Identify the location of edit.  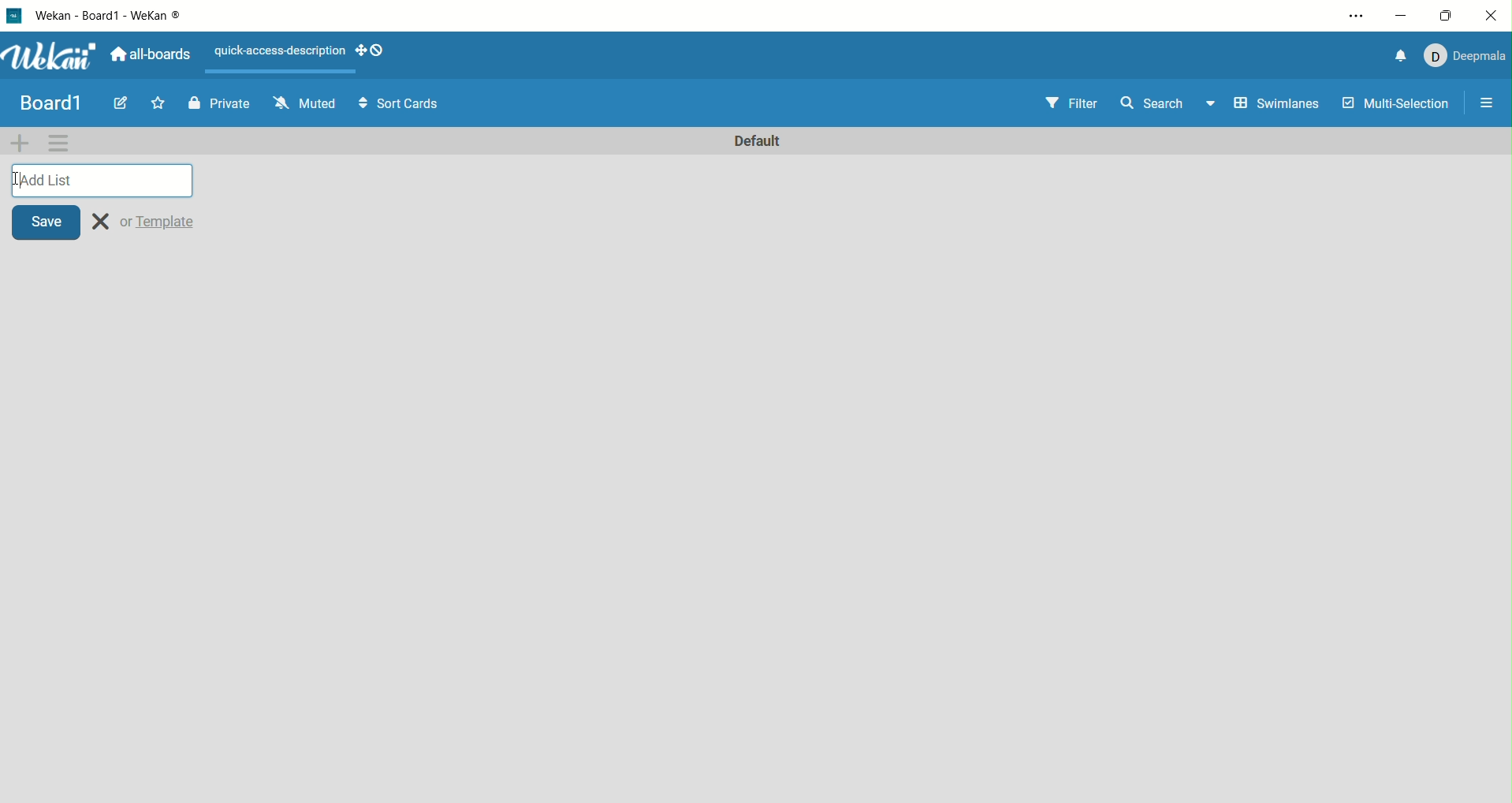
(117, 104).